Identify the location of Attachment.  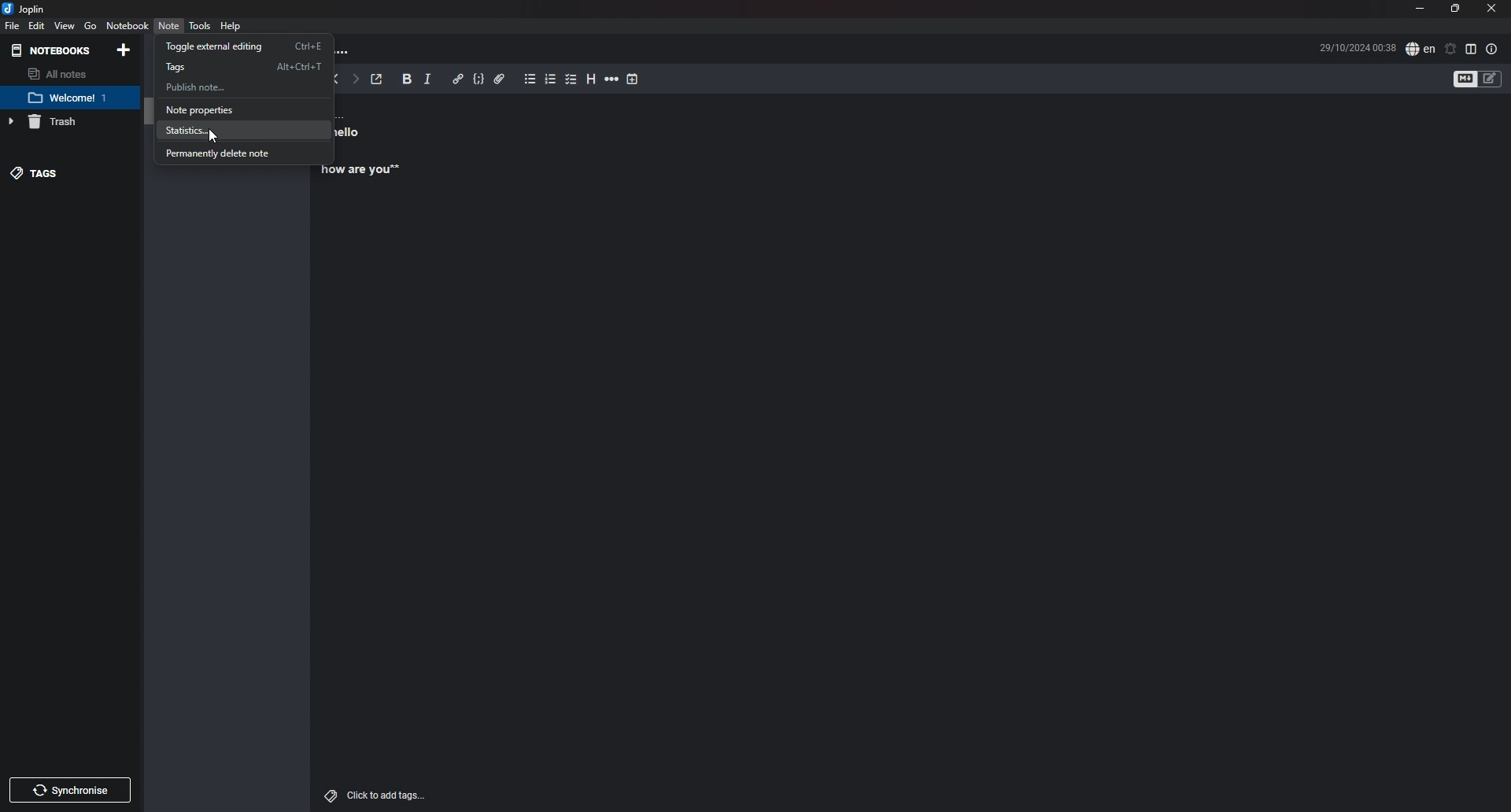
(500, 79).